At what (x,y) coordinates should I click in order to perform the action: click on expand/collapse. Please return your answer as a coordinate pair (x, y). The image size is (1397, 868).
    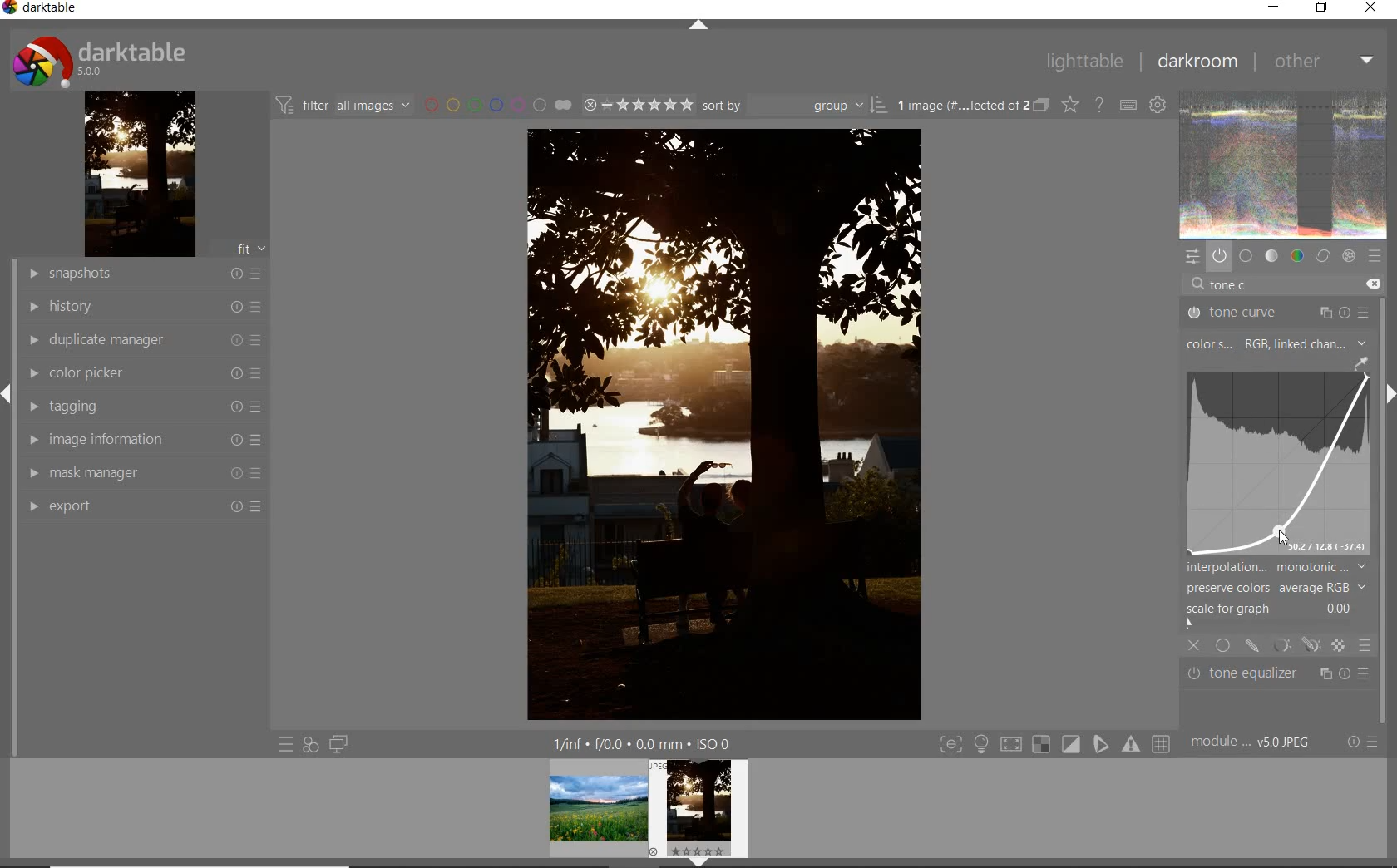
    Looking at the image, I should click on (700, 28).